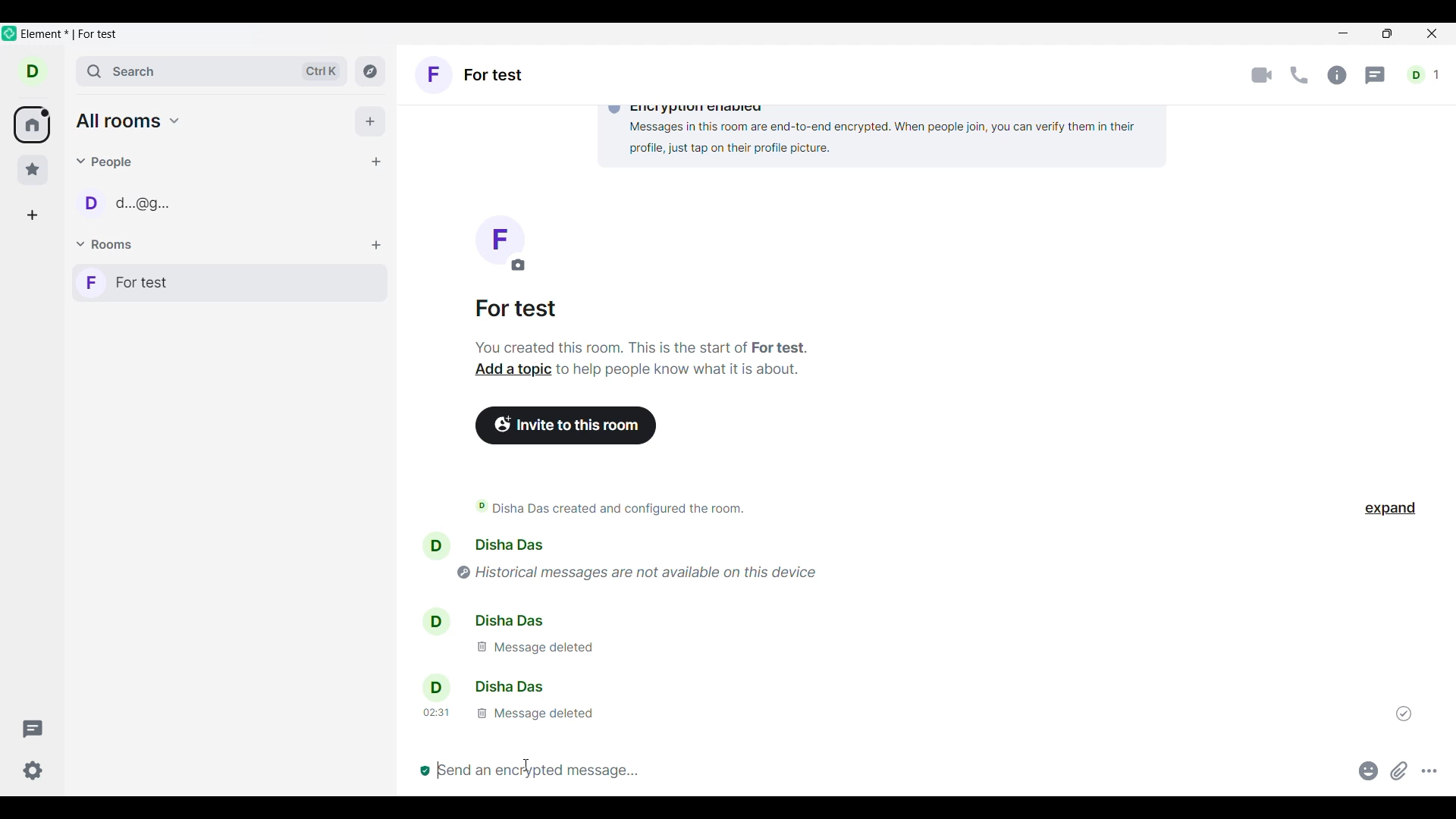 This screenshot has width=1456, height=819. What do you see at coordinates (680, 373) in the screenshot?
I see `to help people know what it is about` at bounding box center [680, 373].